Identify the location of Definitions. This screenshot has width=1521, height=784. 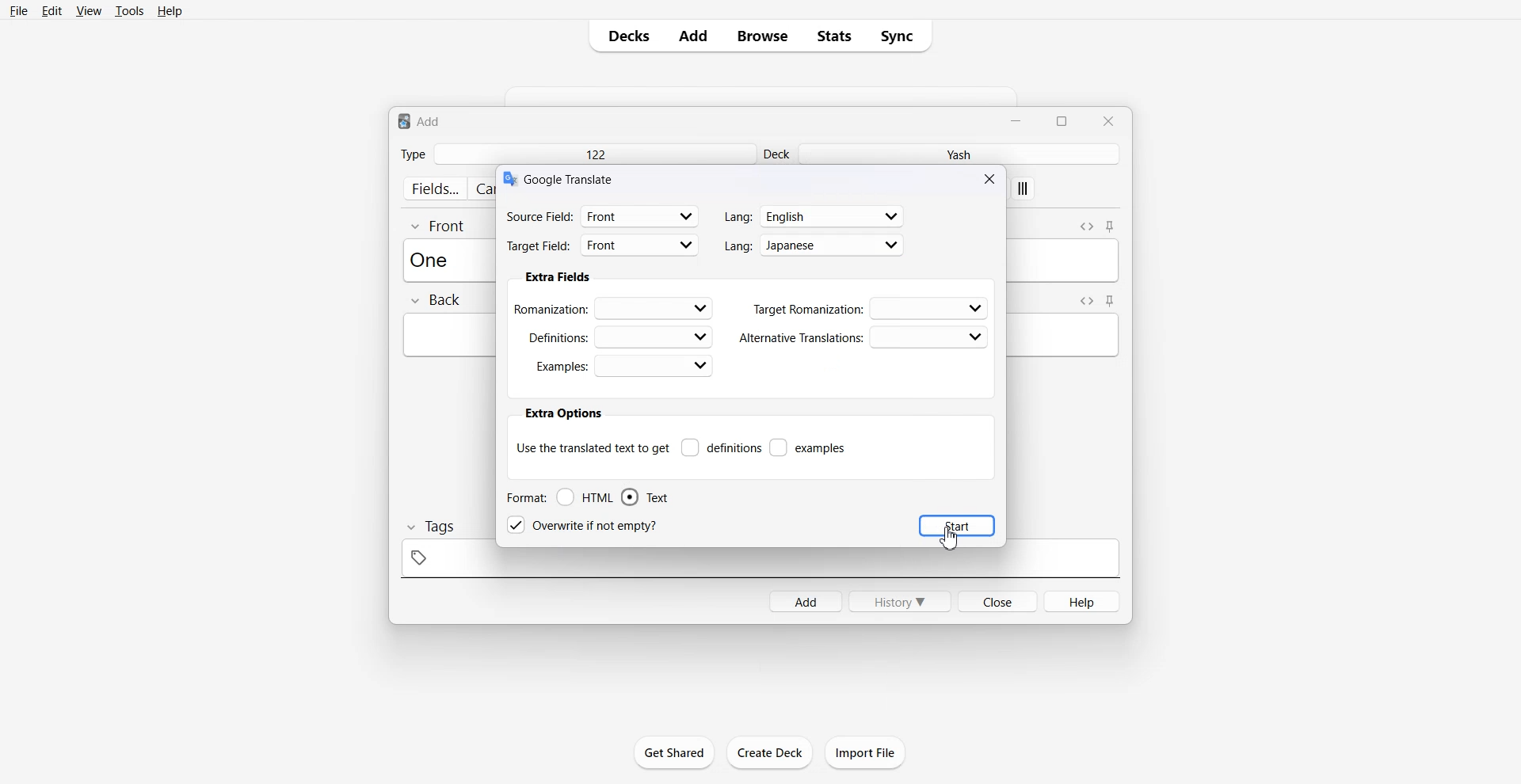
(721, 447).